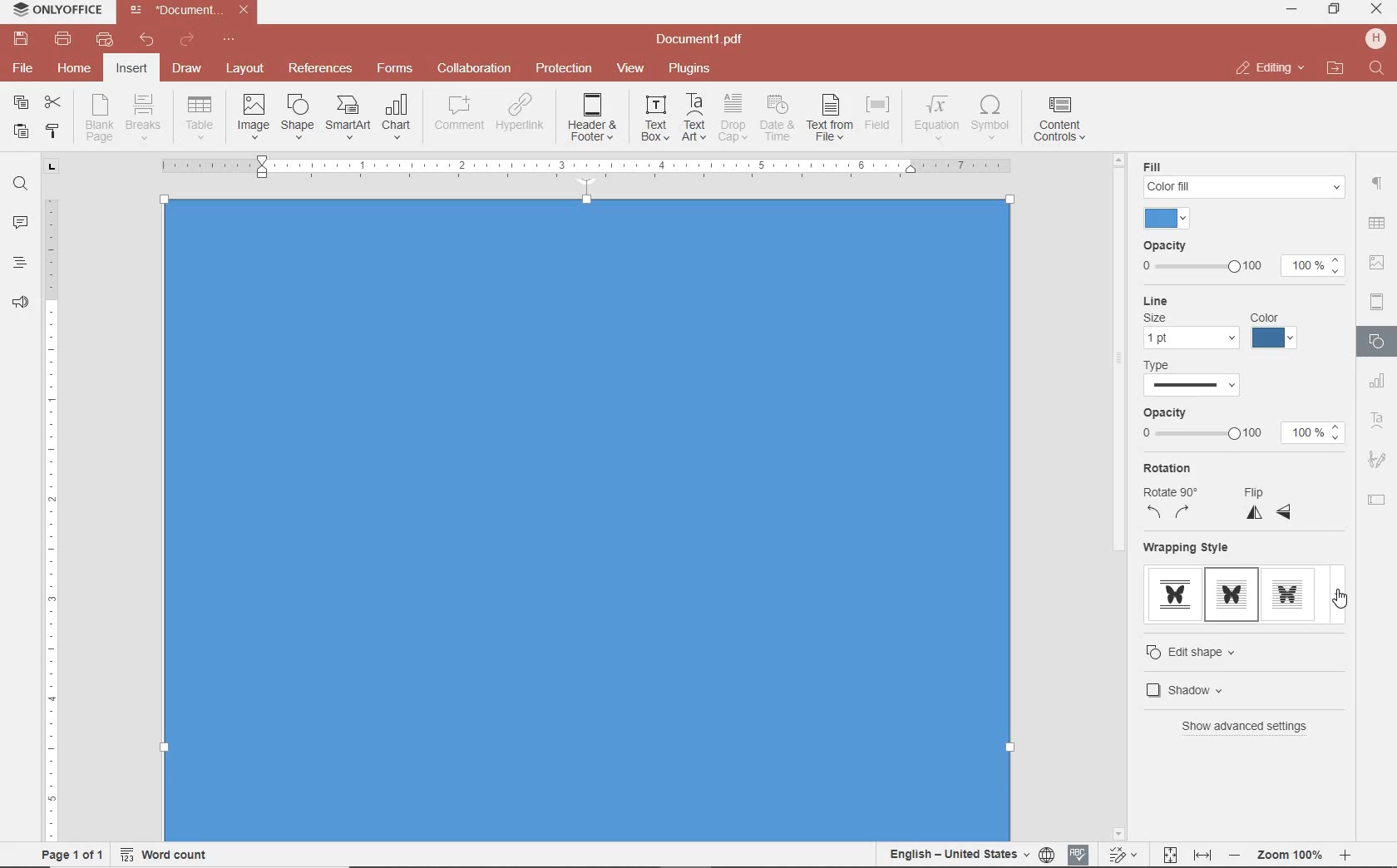  What do you see at coordinates (1378, 422) in the screenshot?
I see `TEXT ART` at bounding box center [1378, 422].